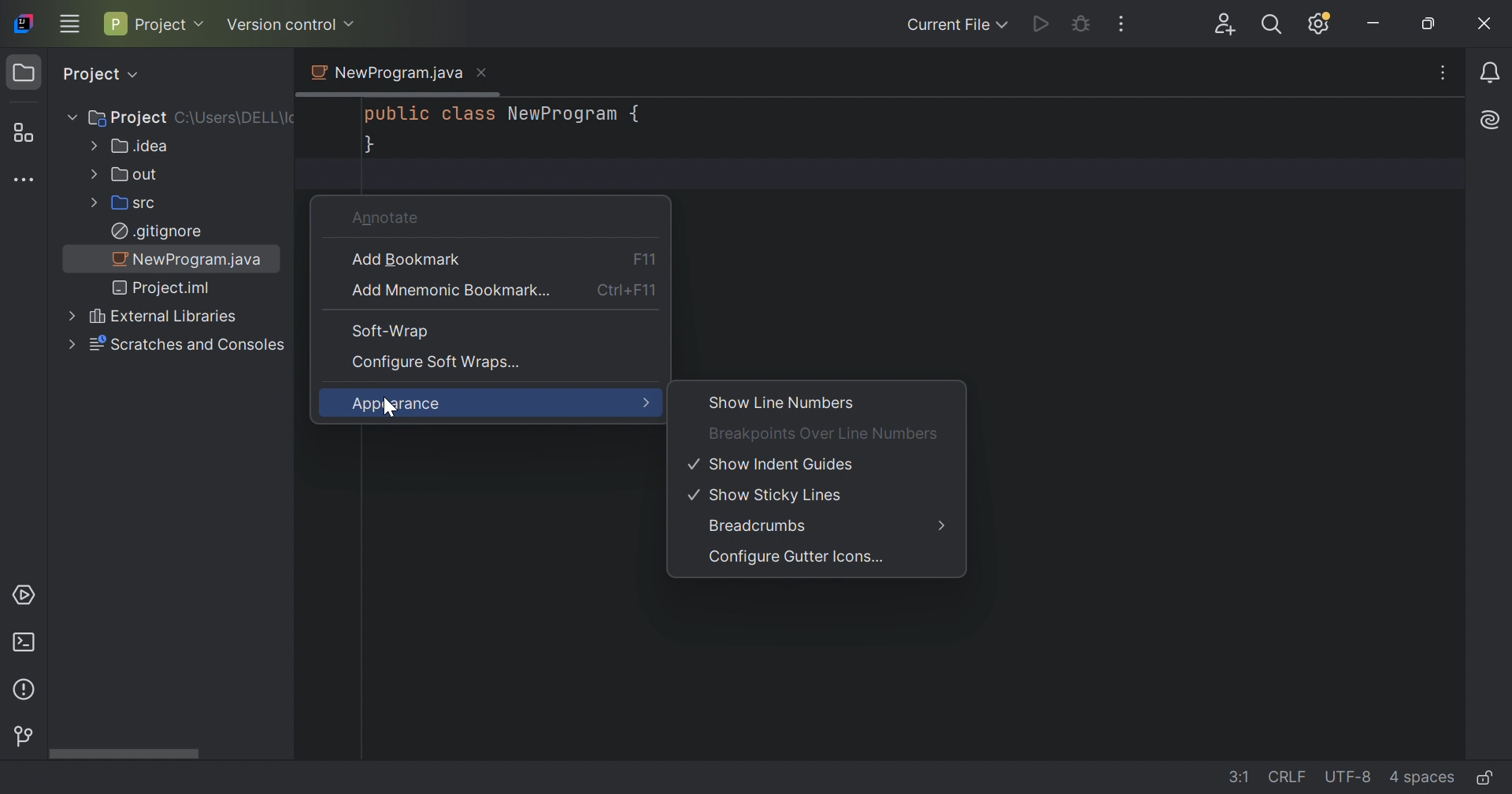  What do you see at coordinates (69, 314) in the screenshot?
I see `Drop Down` at bounding box center [69, 314].